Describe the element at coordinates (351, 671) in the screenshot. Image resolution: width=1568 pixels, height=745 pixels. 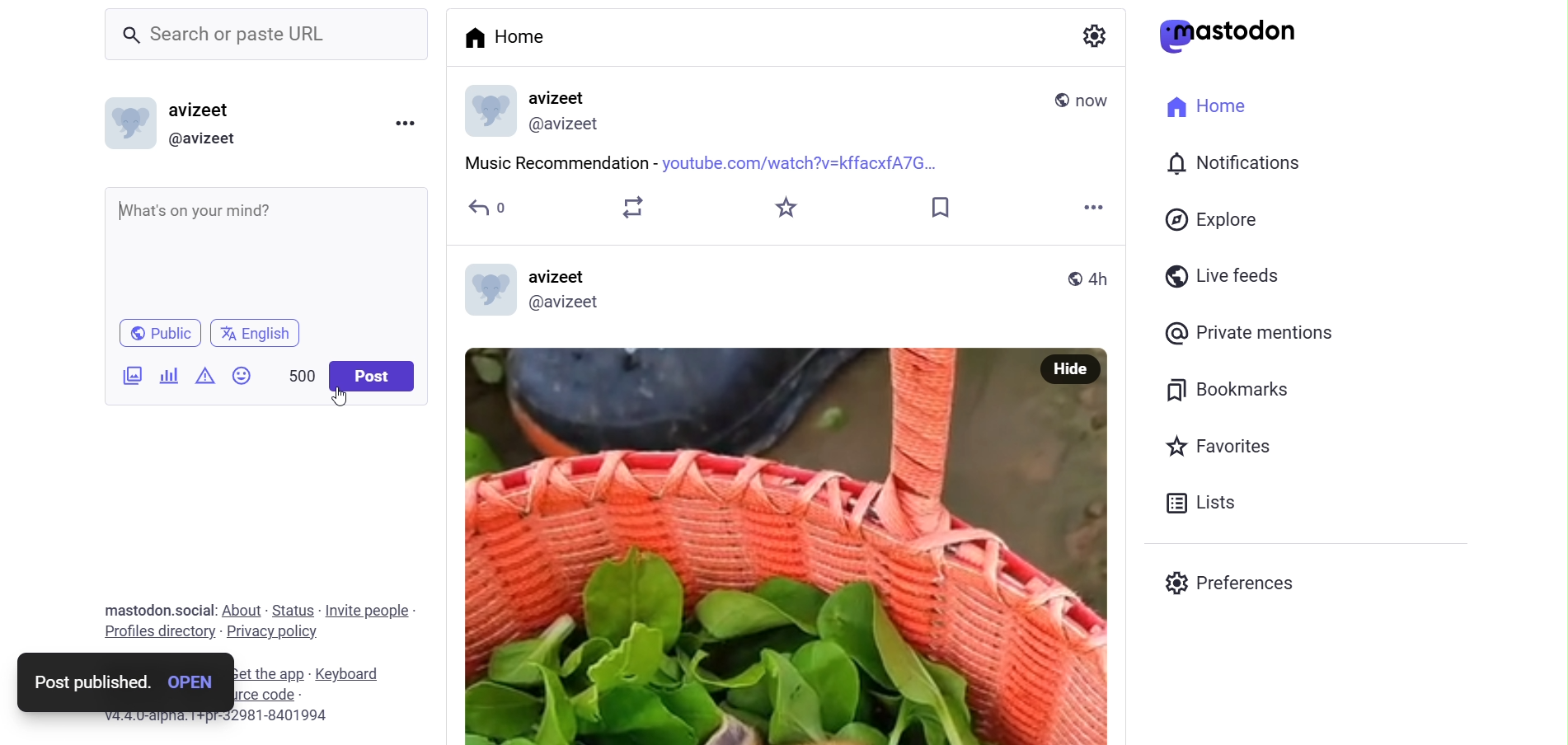
I see `keyboard` at that location.